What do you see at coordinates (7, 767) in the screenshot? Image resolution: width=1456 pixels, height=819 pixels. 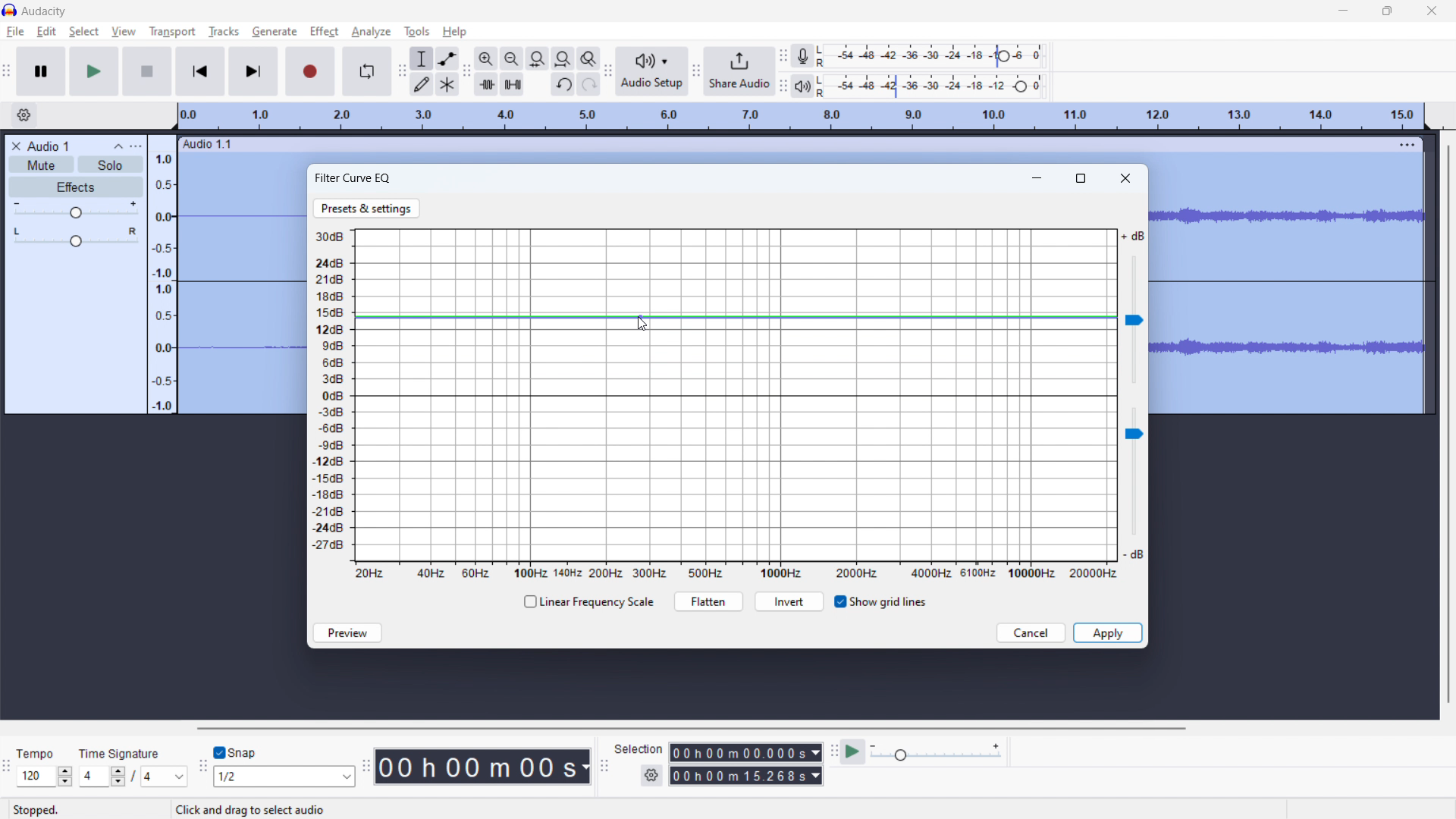 I see `time signature toolbar` at bounding box center [7, 767].